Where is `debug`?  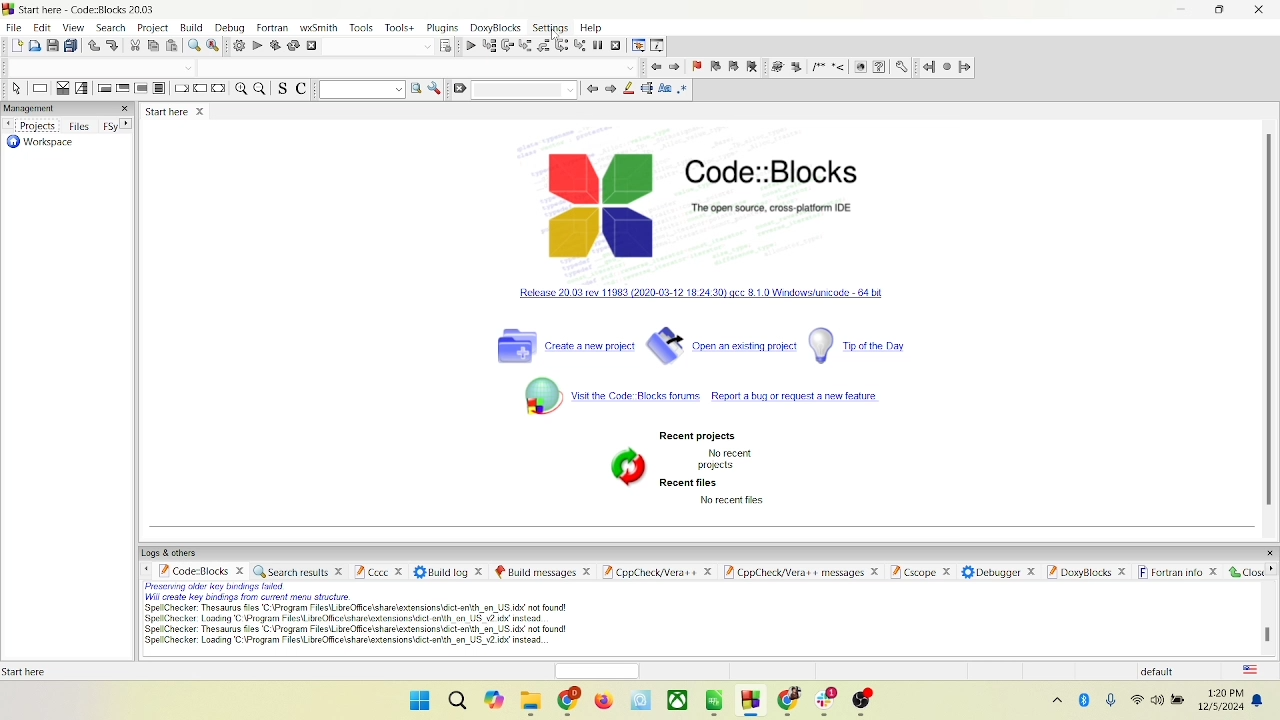 debug is located at coordinates (472, 46).